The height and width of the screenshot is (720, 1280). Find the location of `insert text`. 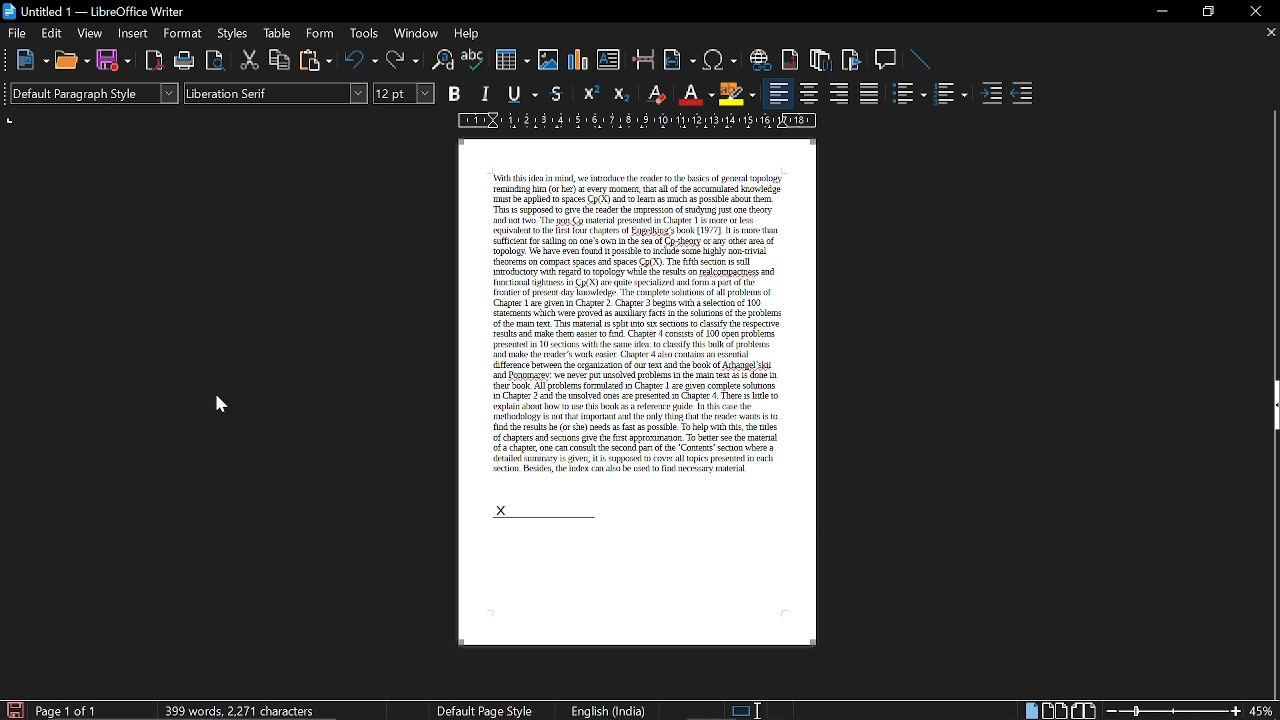

insert text is located at coordinates (611, 59).